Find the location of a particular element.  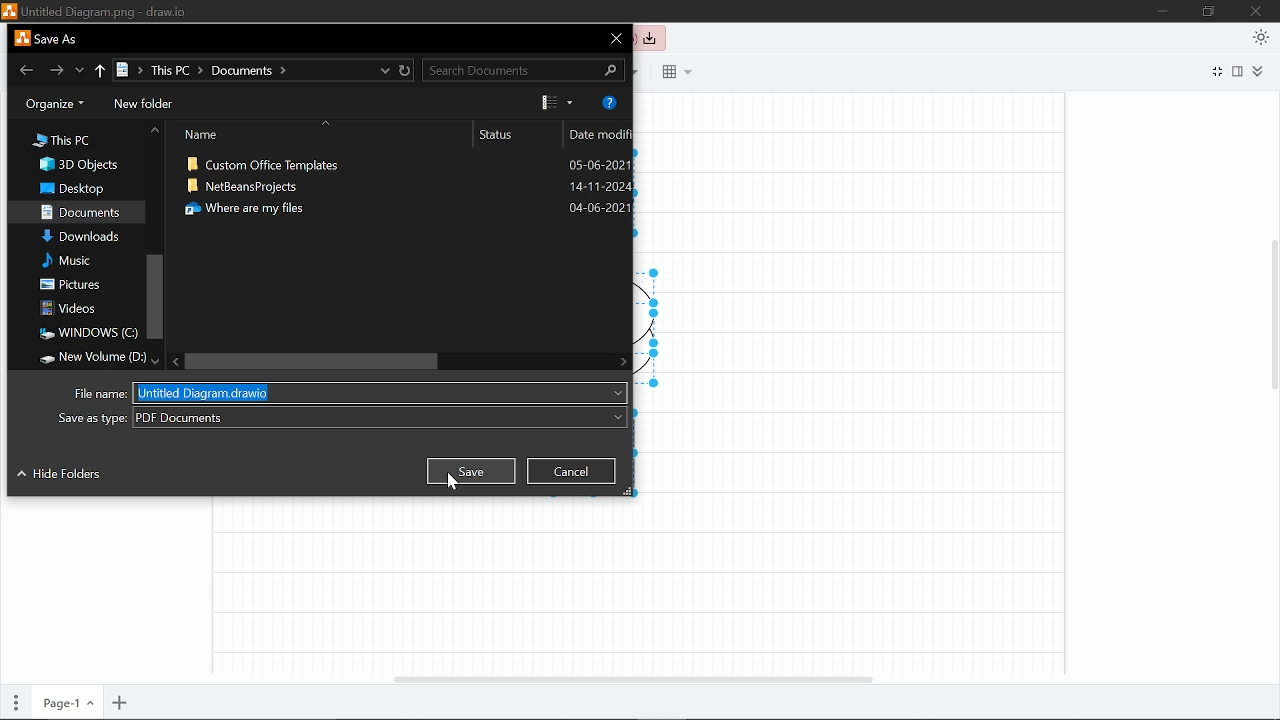

Help is located at coordinates (611, 103).